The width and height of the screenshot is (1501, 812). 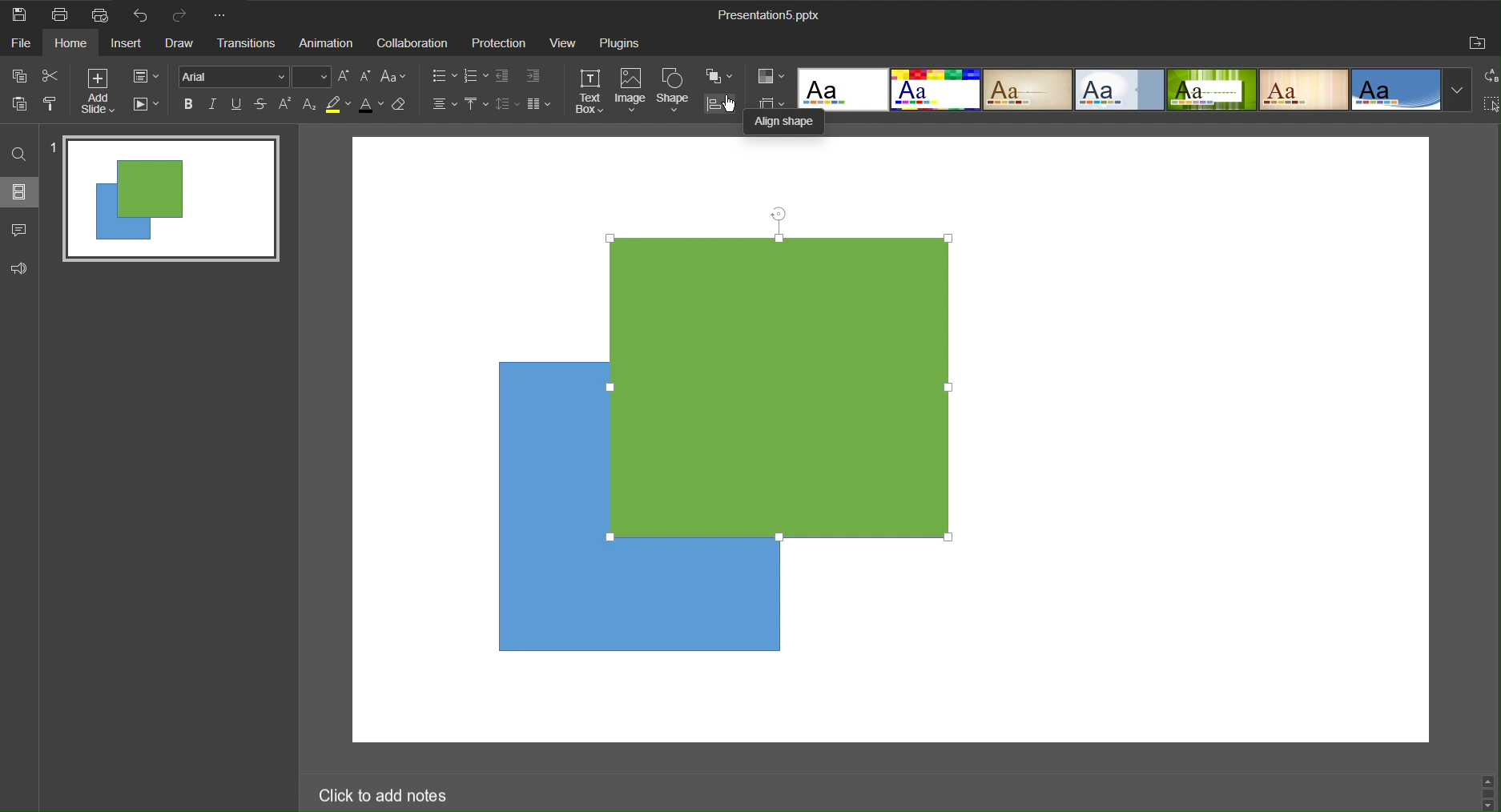 What do you see at coordinates (675, 89) in the screenshot?
I see `Shape` at bounding box center [675, 89].